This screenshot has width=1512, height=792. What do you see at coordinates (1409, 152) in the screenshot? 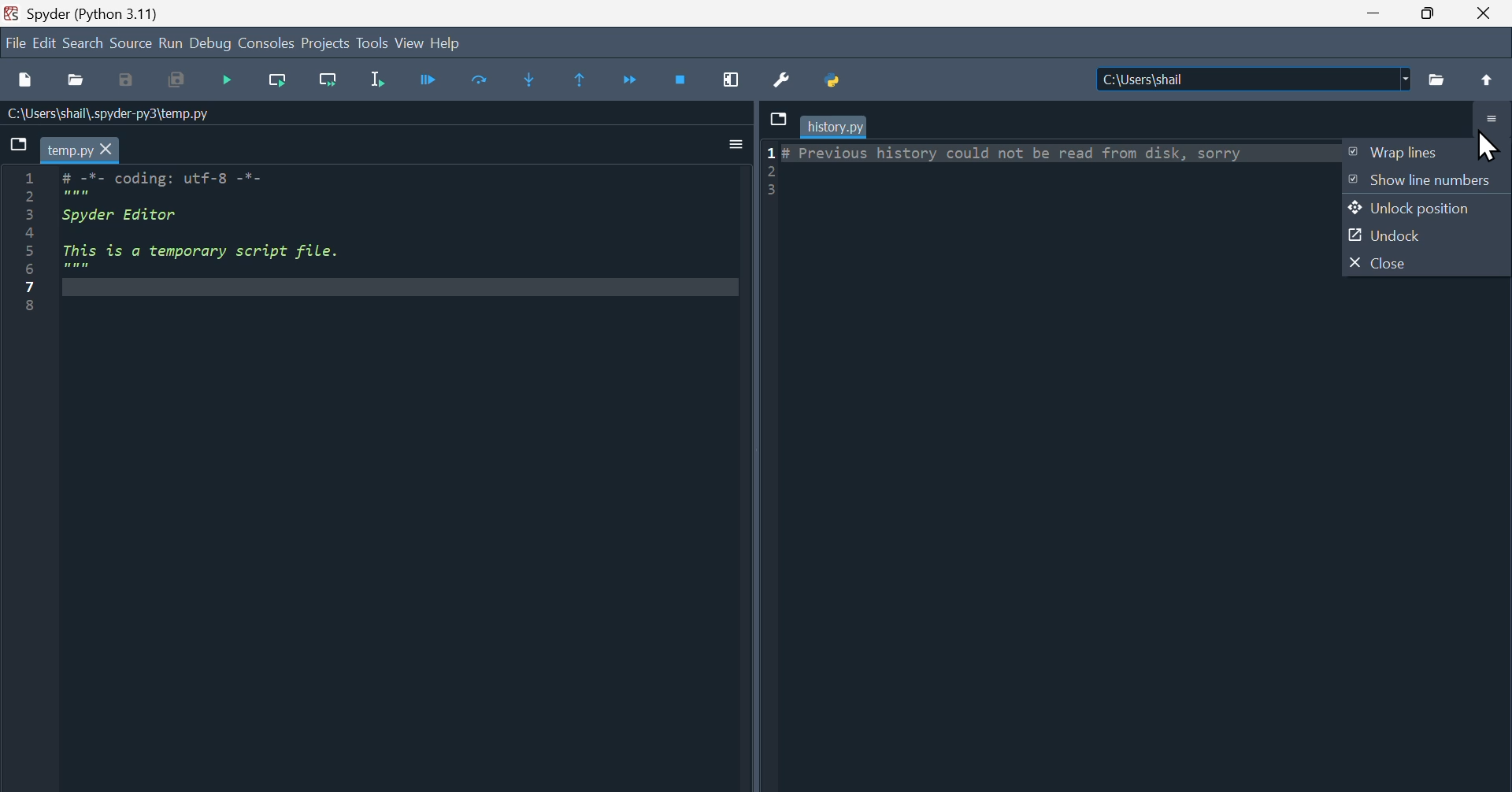
I see `Wrap files` at bounding box center [1409, 152].